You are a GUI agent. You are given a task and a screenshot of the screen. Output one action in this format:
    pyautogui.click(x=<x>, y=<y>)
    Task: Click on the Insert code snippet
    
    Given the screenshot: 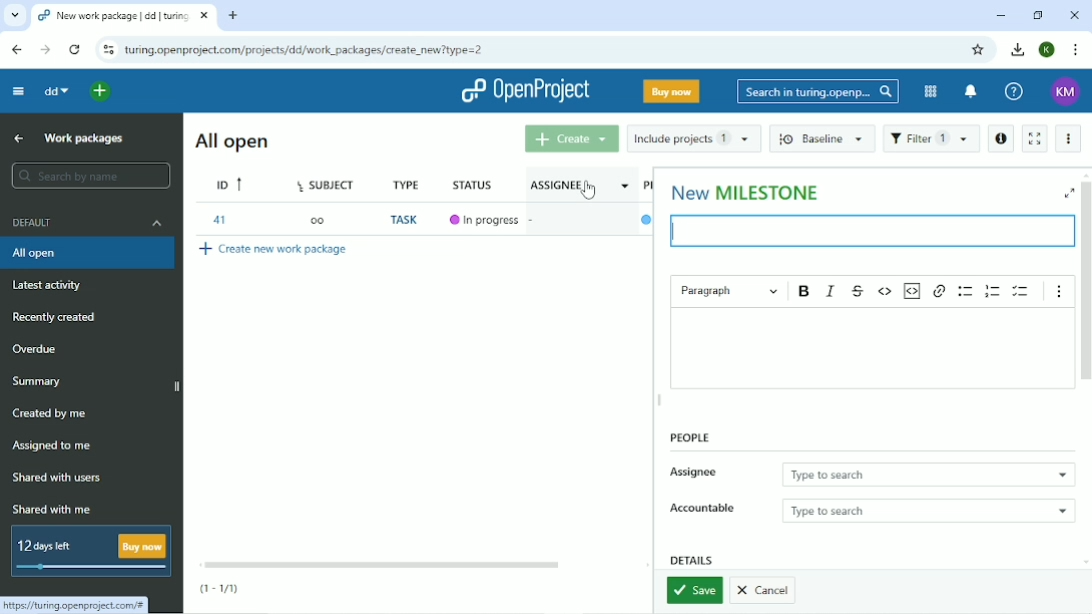 What is the action you would take?
    pyautogui.click(x=914, y=291)
    